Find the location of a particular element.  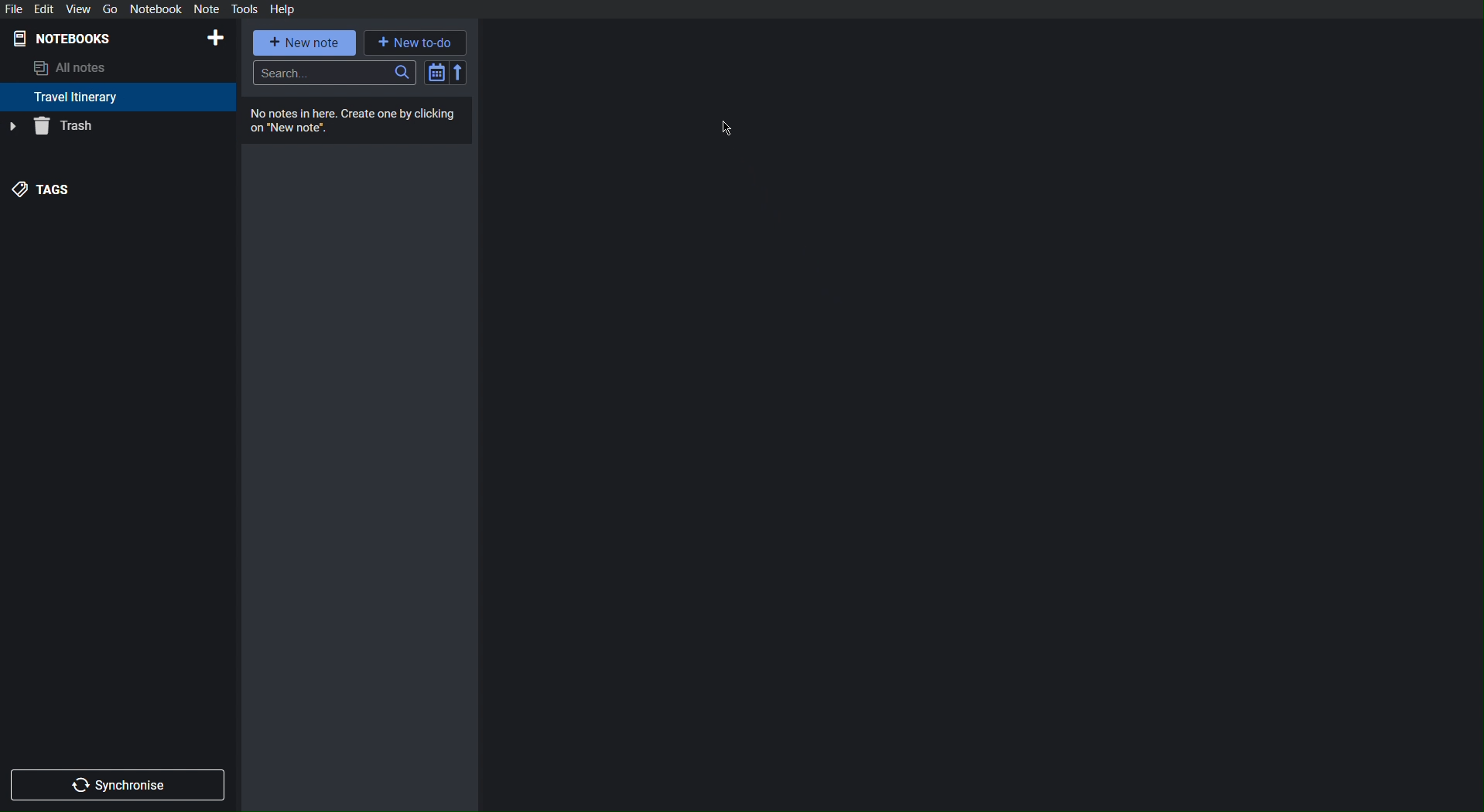

Edit is located at coordinates (46, 9).